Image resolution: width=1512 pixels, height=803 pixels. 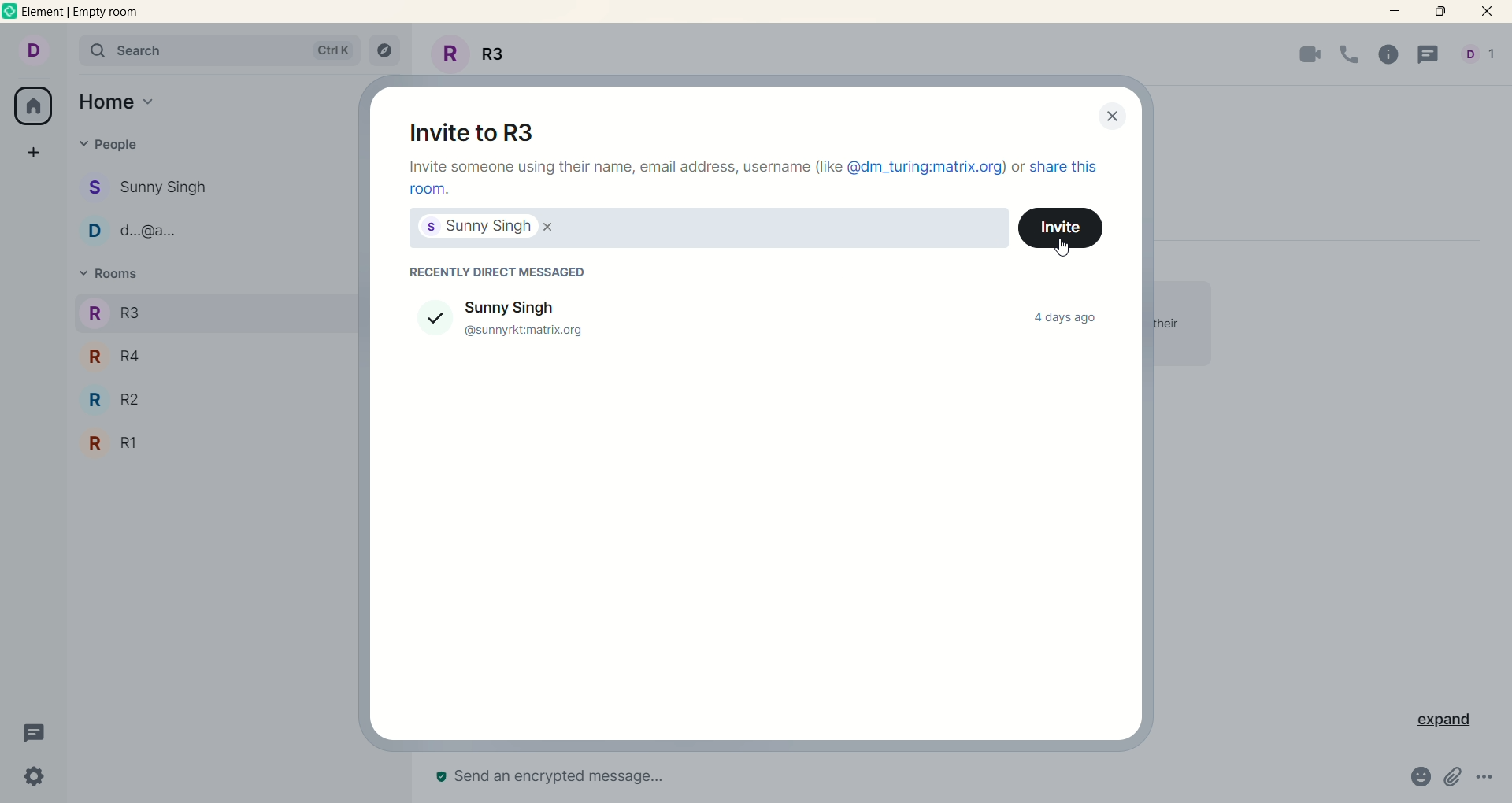 I want to click on 4 days ago, so click(x=1065, y=320).